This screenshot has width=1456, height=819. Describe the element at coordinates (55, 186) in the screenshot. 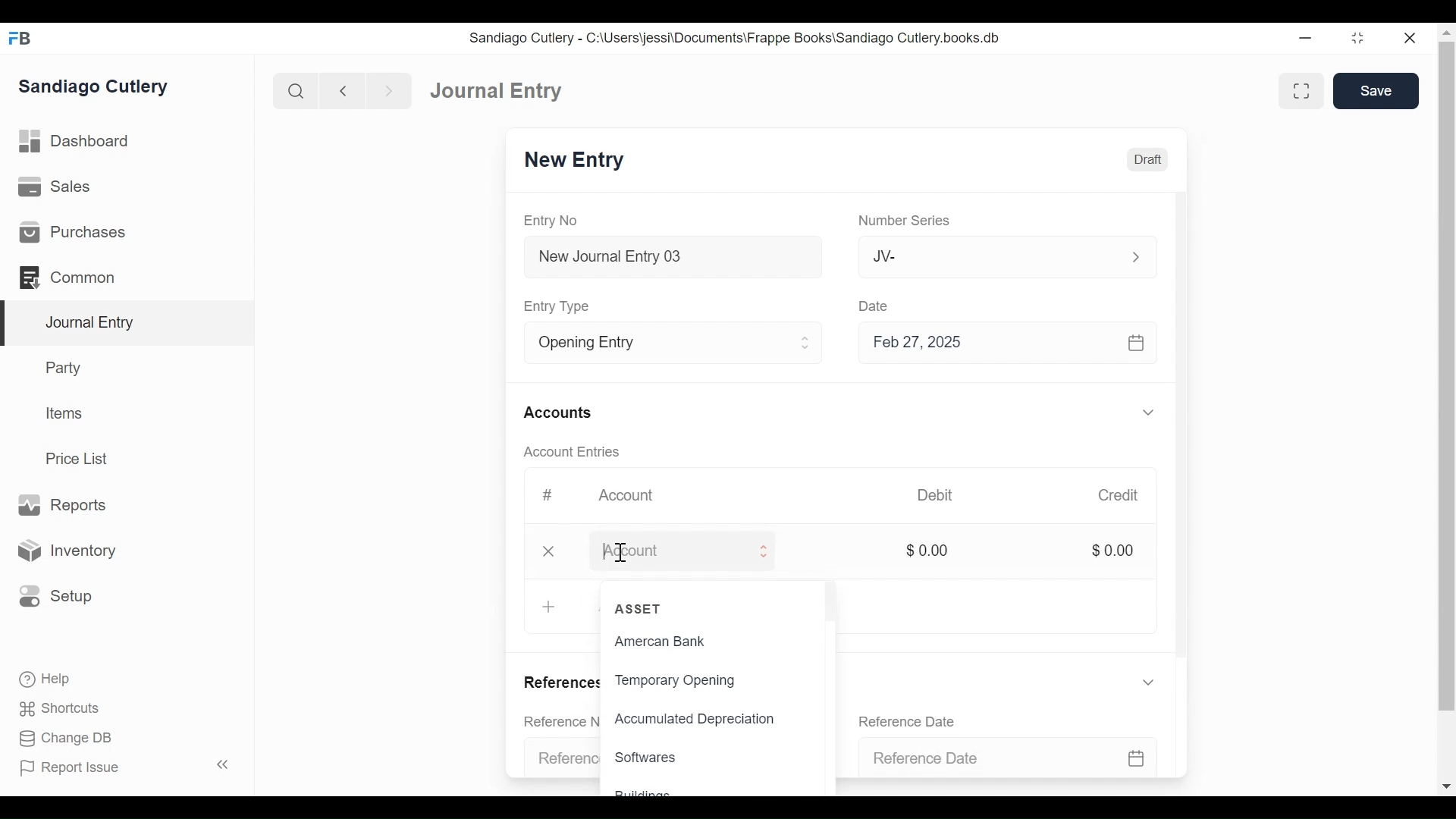

I see `Sales` at that location.